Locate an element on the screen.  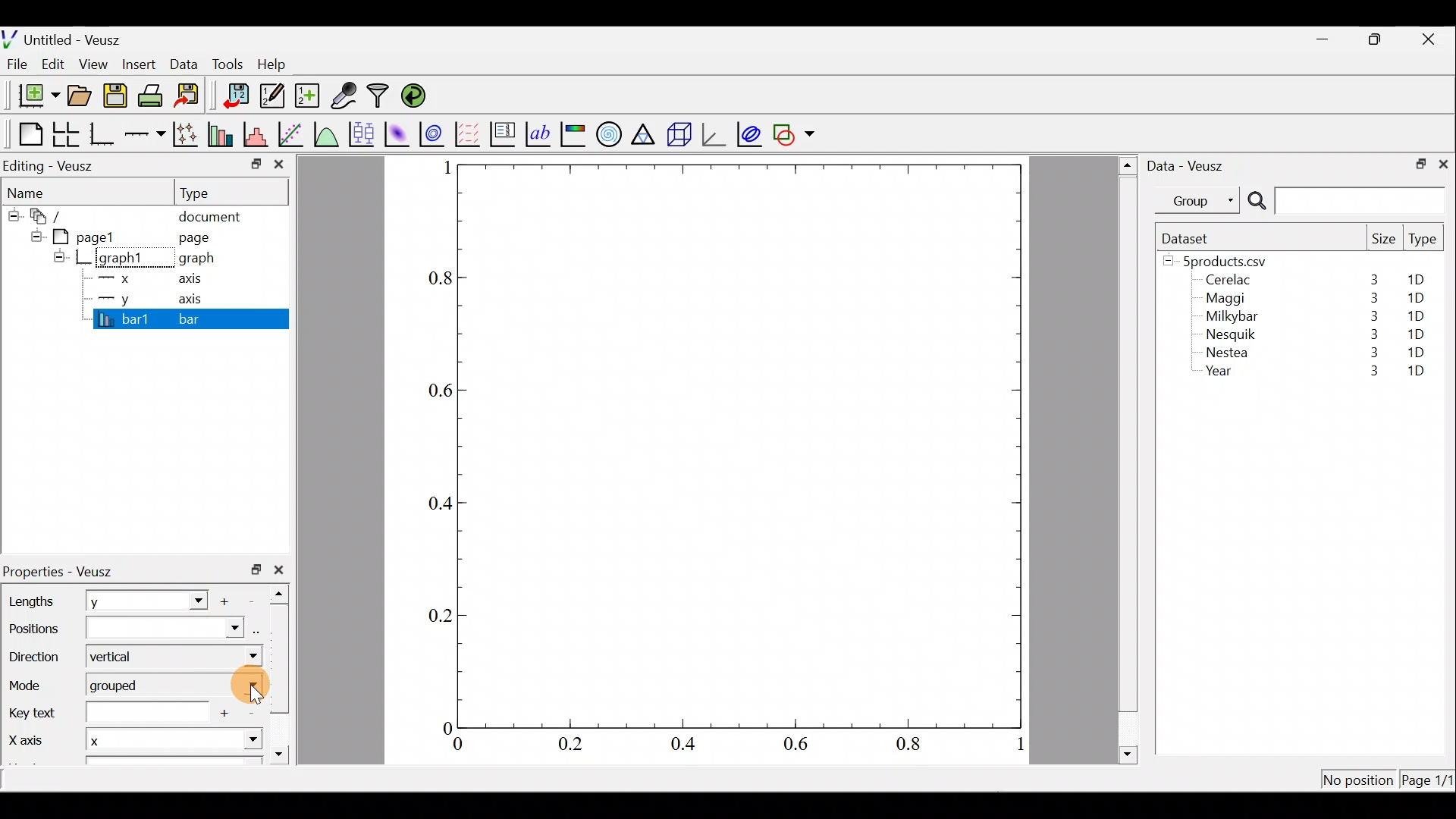
x is located at coordinates (118, 278).